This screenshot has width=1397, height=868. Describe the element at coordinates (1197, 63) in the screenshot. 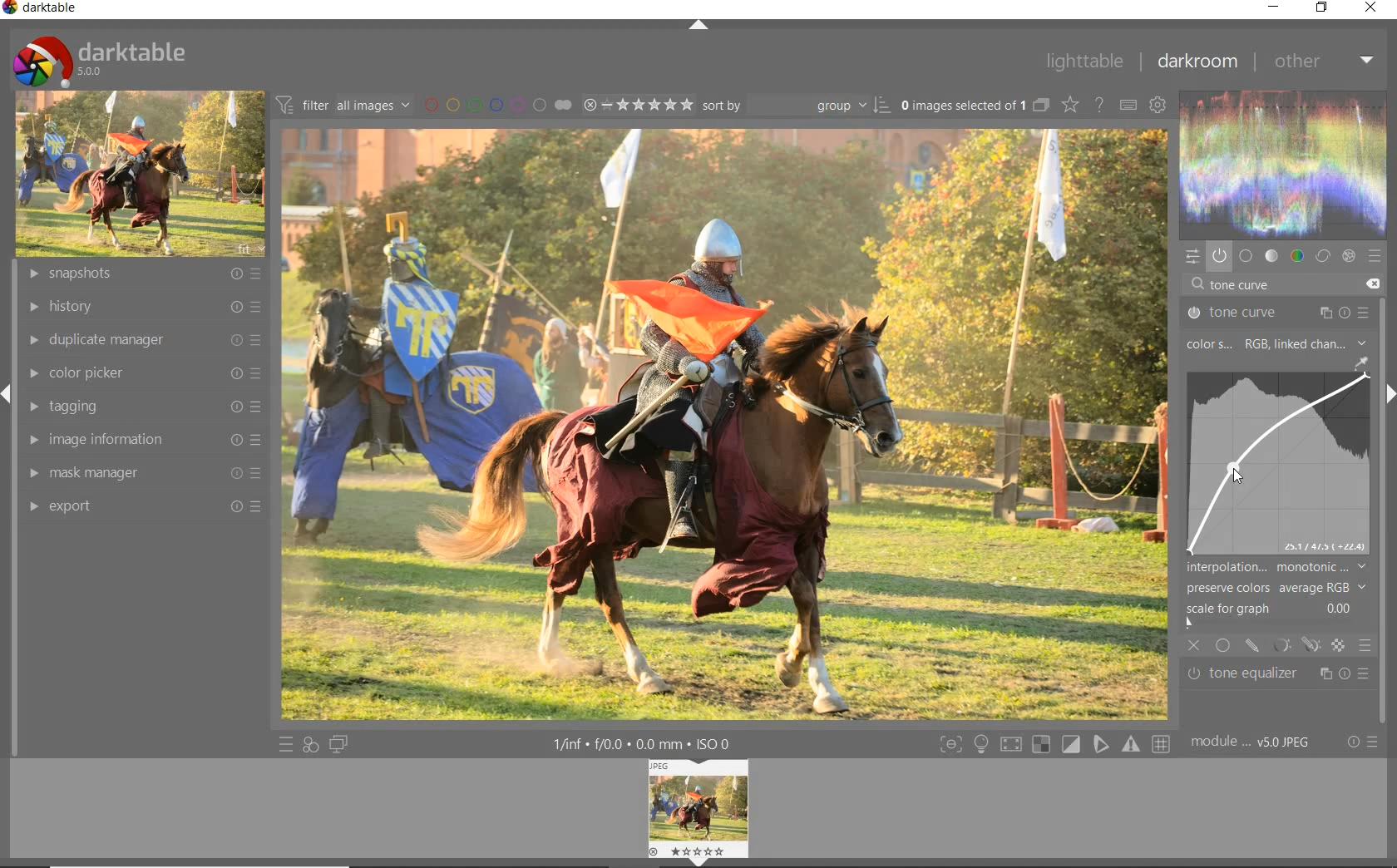

I see `darkroom` at that location.